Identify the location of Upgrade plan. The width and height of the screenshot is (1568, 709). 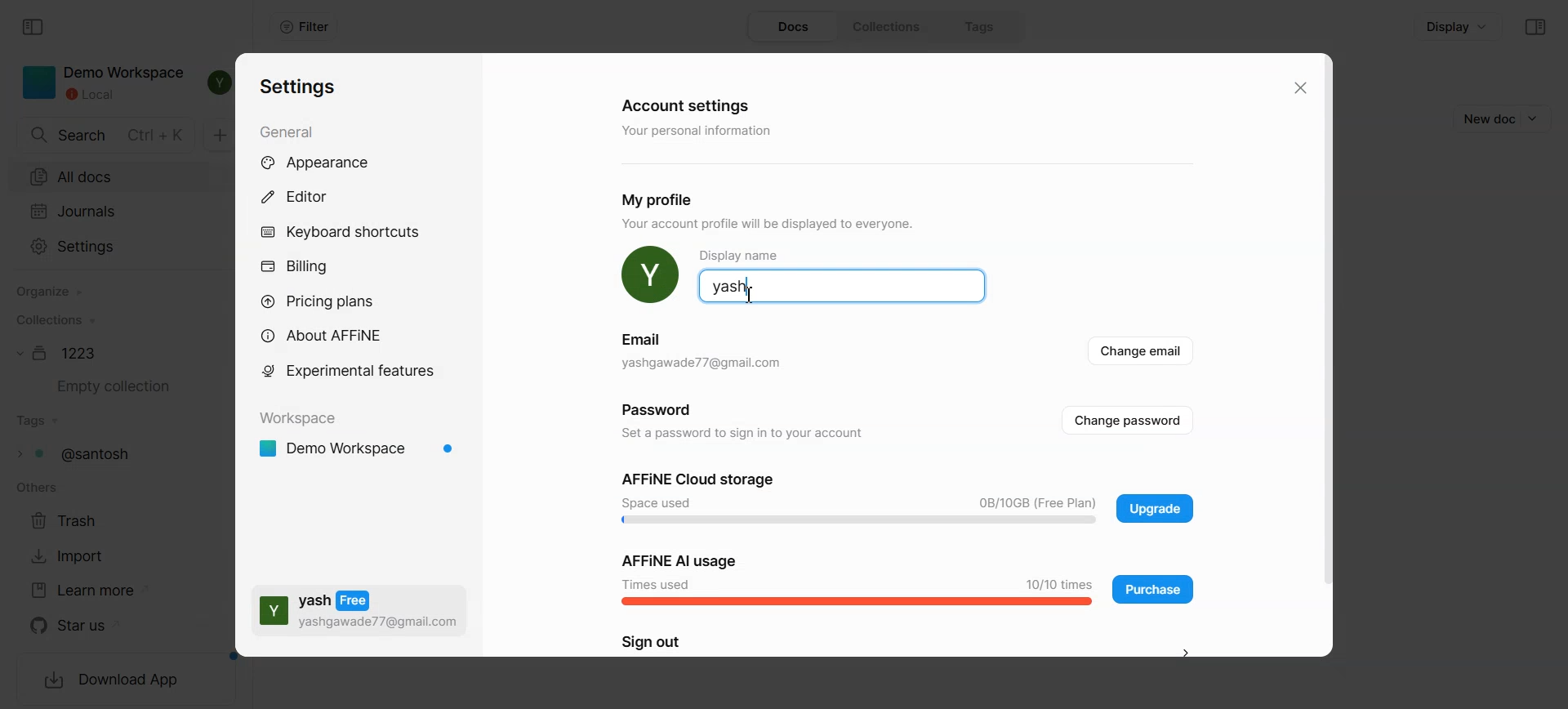
(1154, 508).